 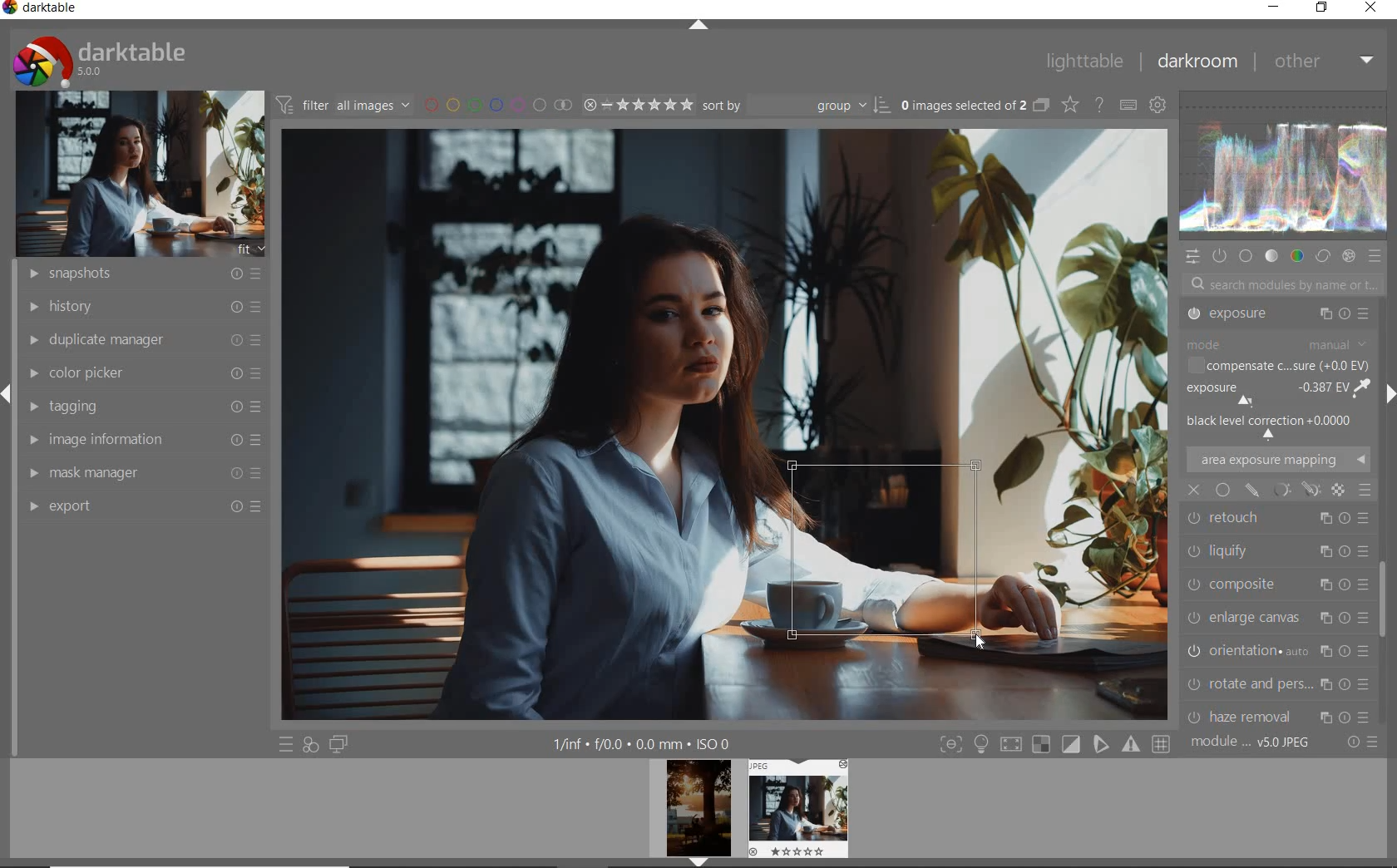 What do you see at coordinates (141, 472) in the screenshot?
I see `MASK MANAGER` at bounding box center [141, 472].